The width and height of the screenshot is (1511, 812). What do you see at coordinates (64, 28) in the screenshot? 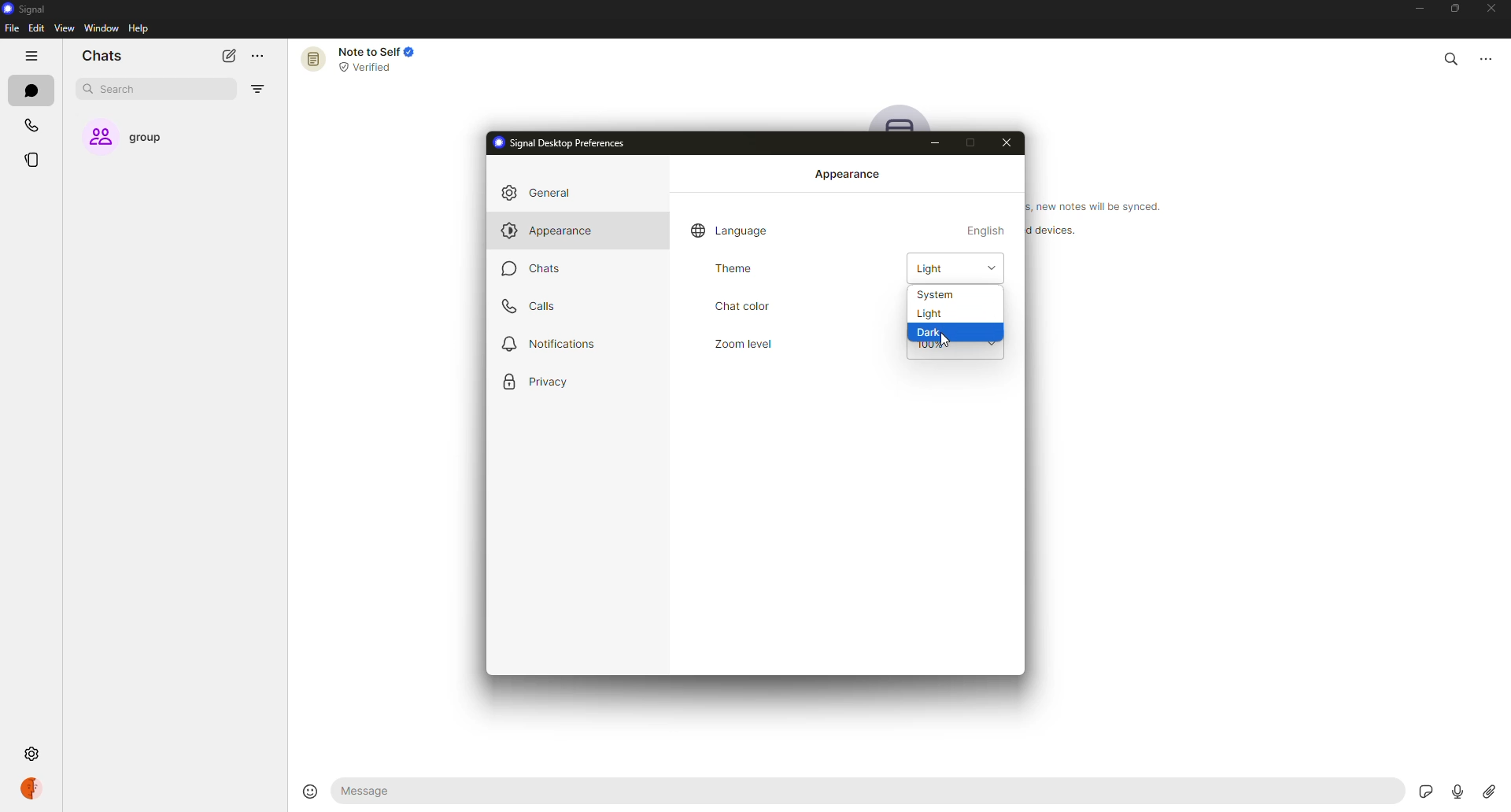
I see `view` at bounding box center [64, 28].